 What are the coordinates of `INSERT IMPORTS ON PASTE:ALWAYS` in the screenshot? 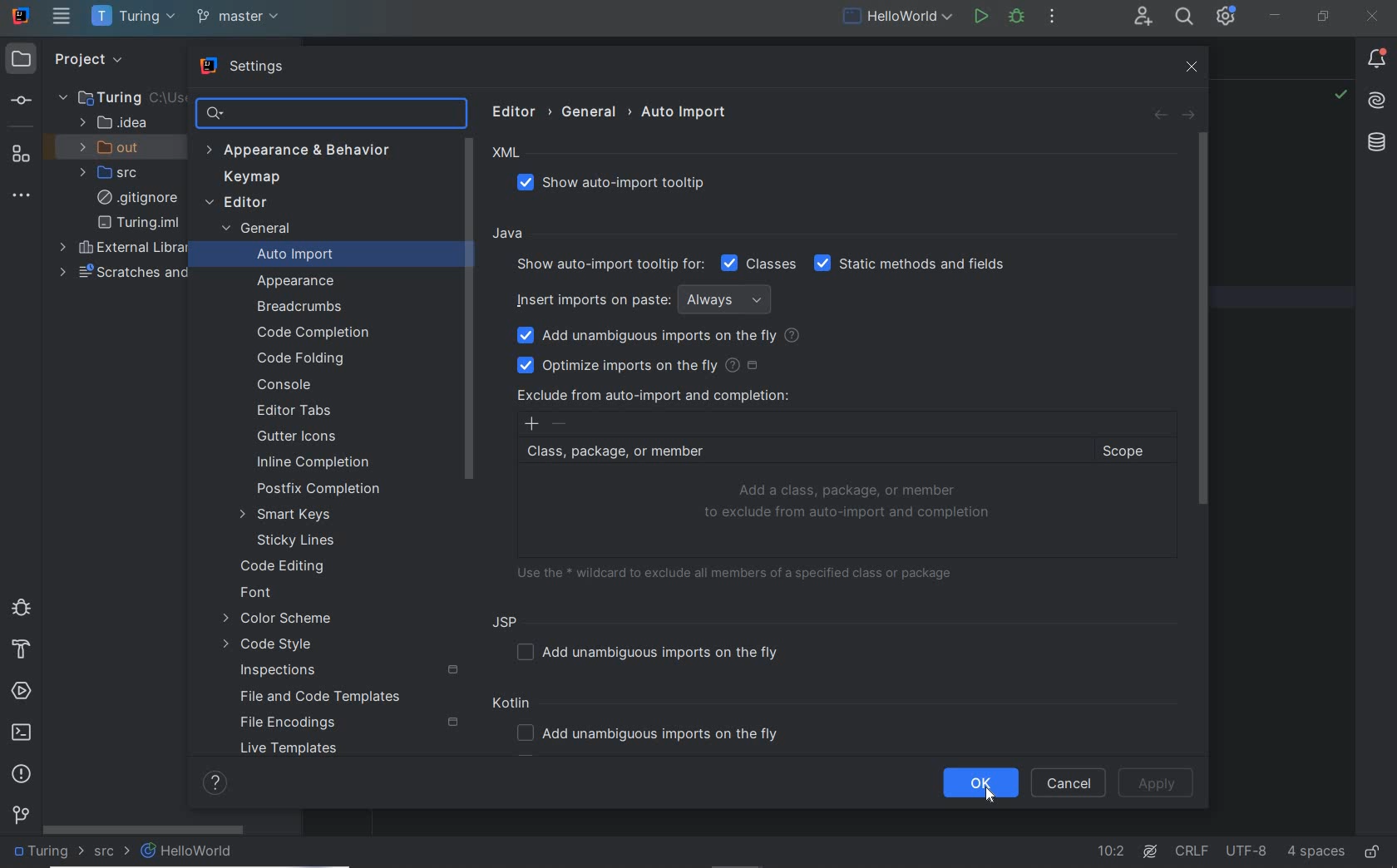 It's located at (648, 298).